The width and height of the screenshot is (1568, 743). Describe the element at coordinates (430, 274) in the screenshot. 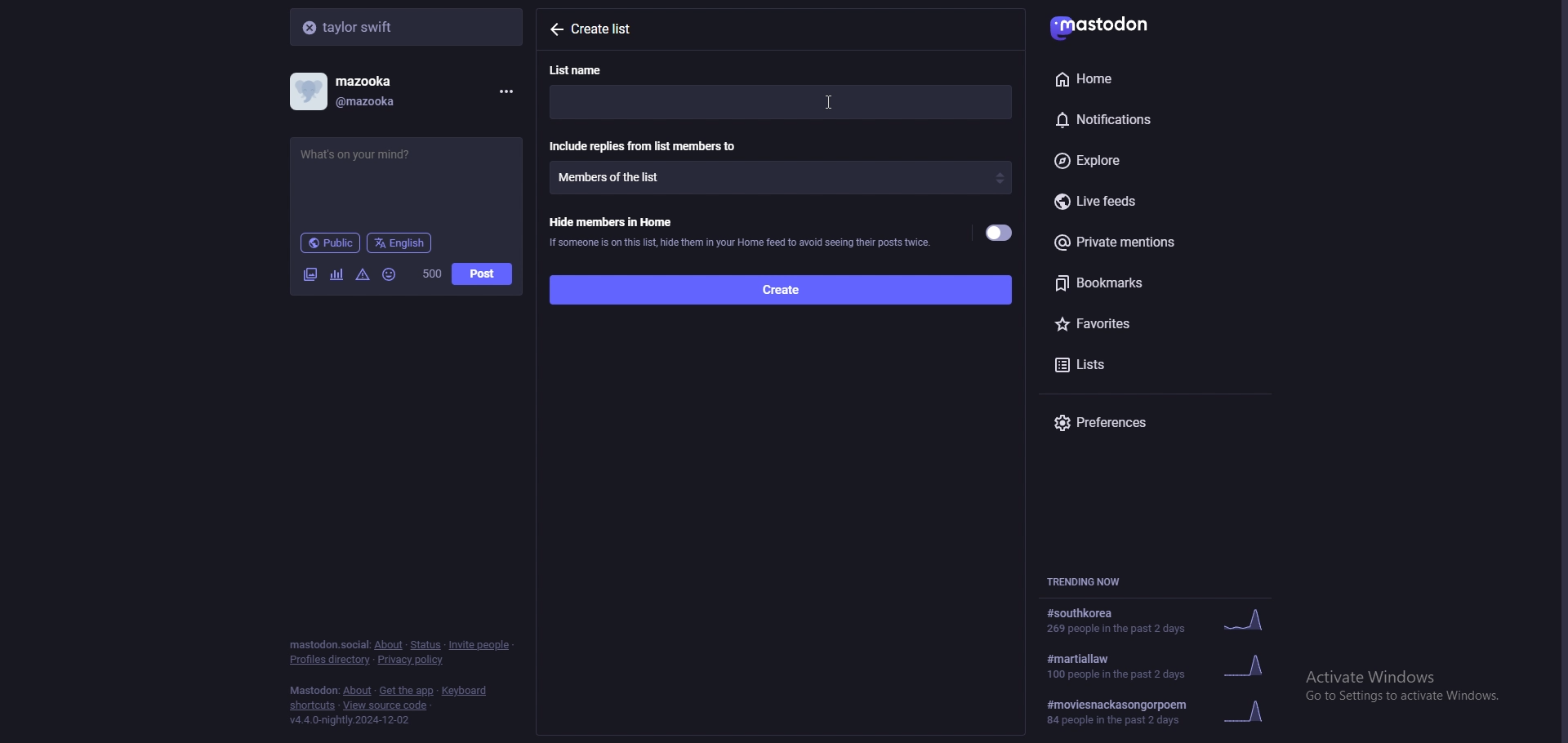

I see `word limit` at that location.